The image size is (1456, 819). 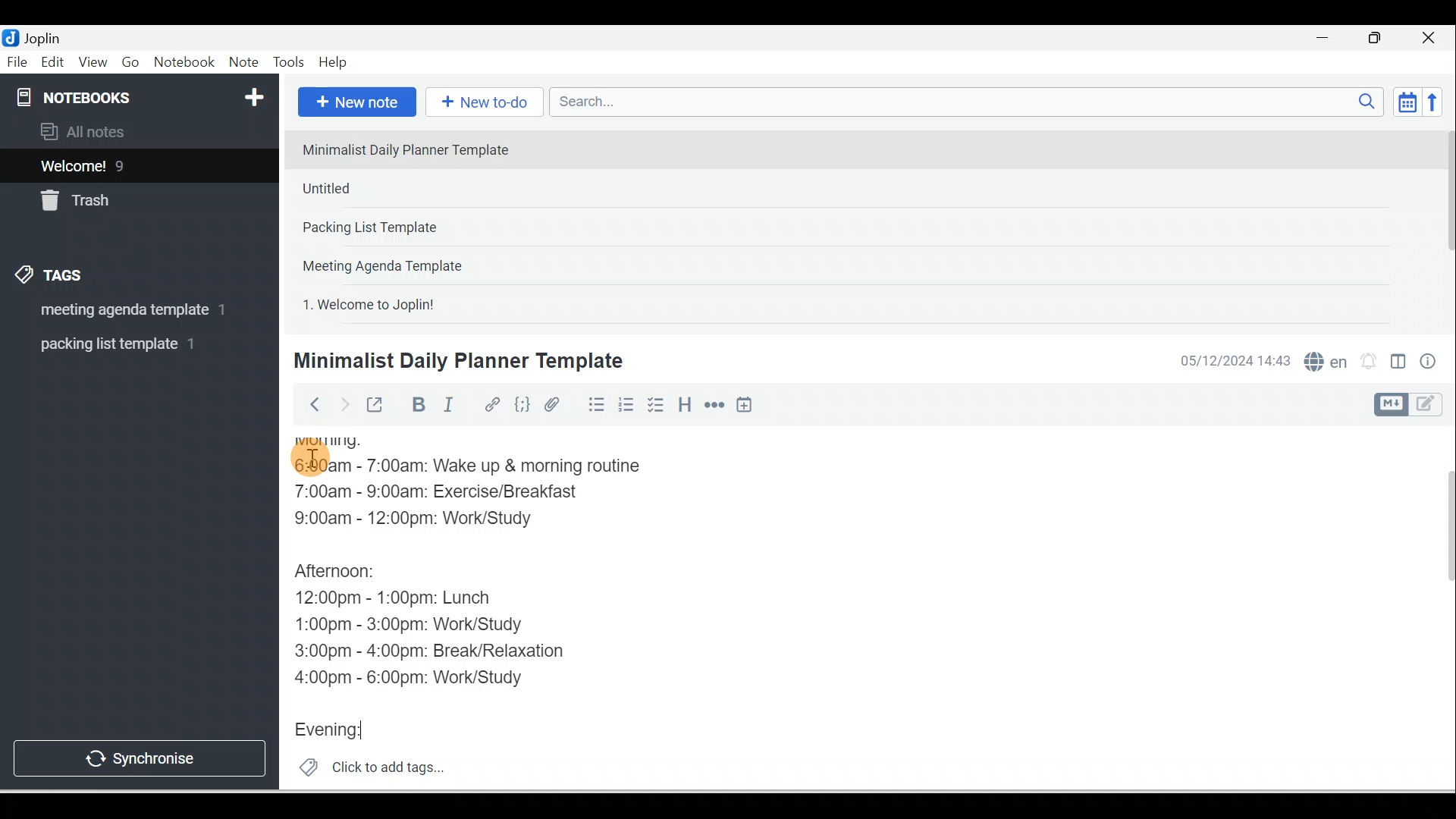 What do you see at coordinates (491, 406) in the screenshot?
I see `Hyperlink` at bounding box center [491, 406].